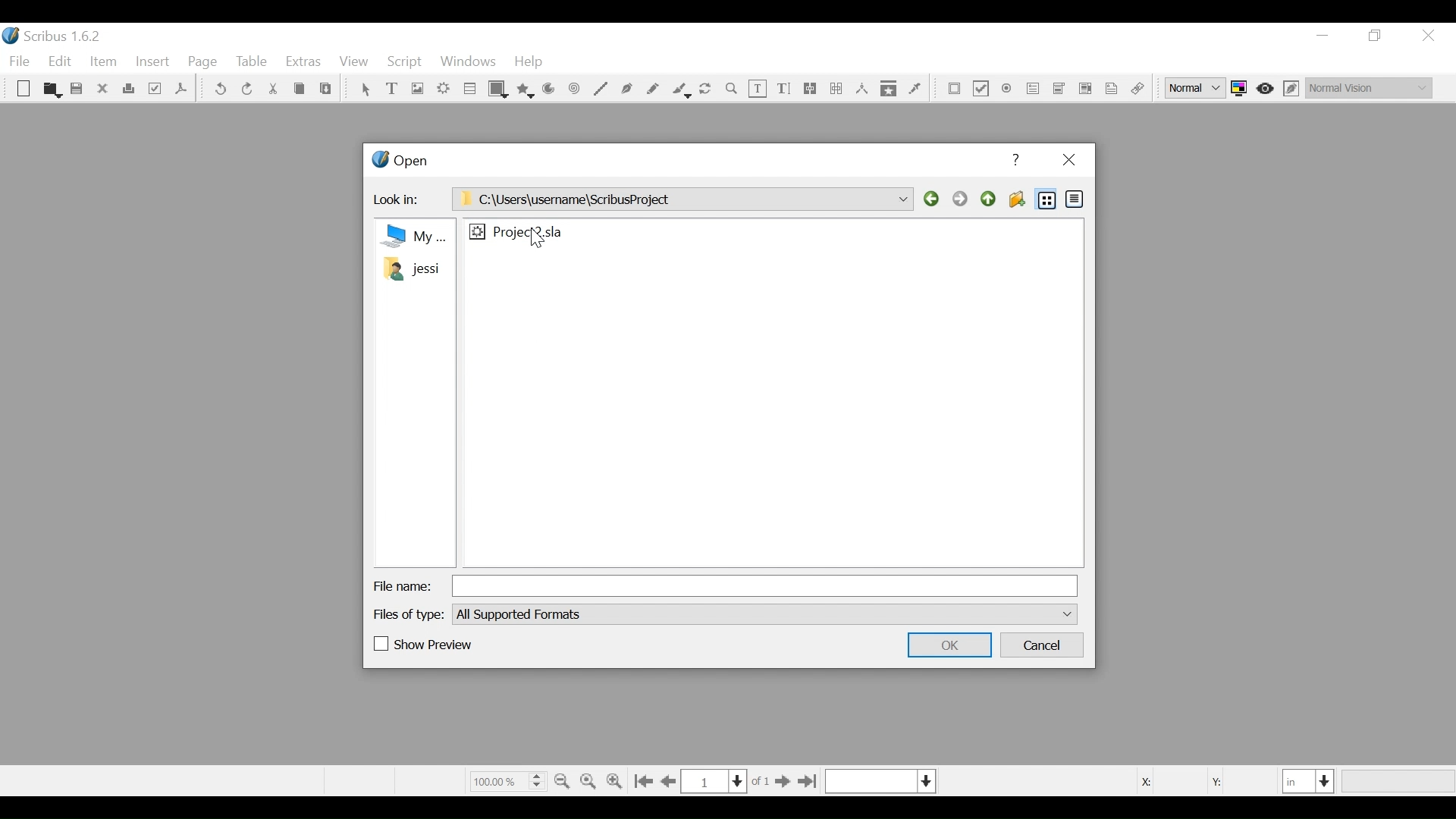 The width and height of the screenshot is (1456, 819). I want to click on Zoom, so click(732, 89).